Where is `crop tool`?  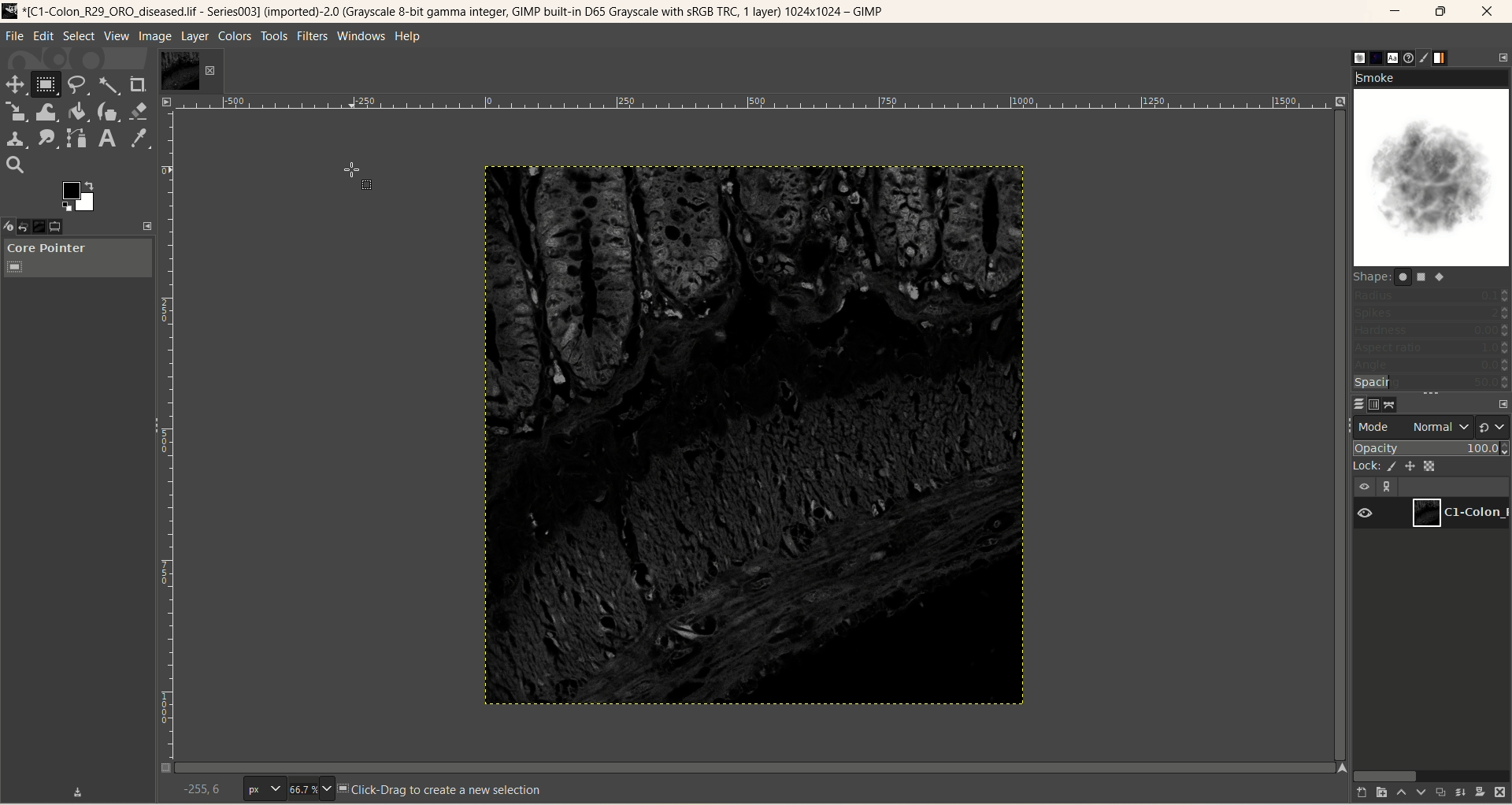 crop tool is located at coordinates (139, 84).